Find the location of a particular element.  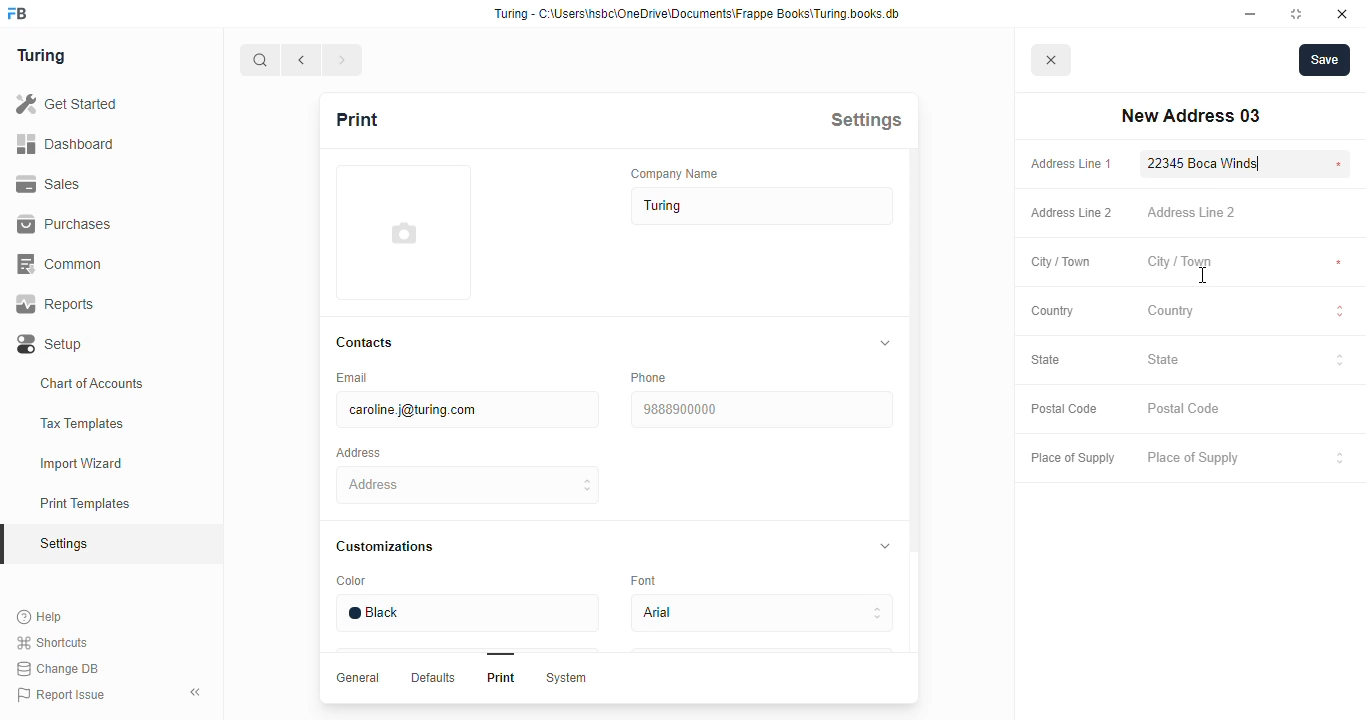

turing is located at coordinates (40, 55).